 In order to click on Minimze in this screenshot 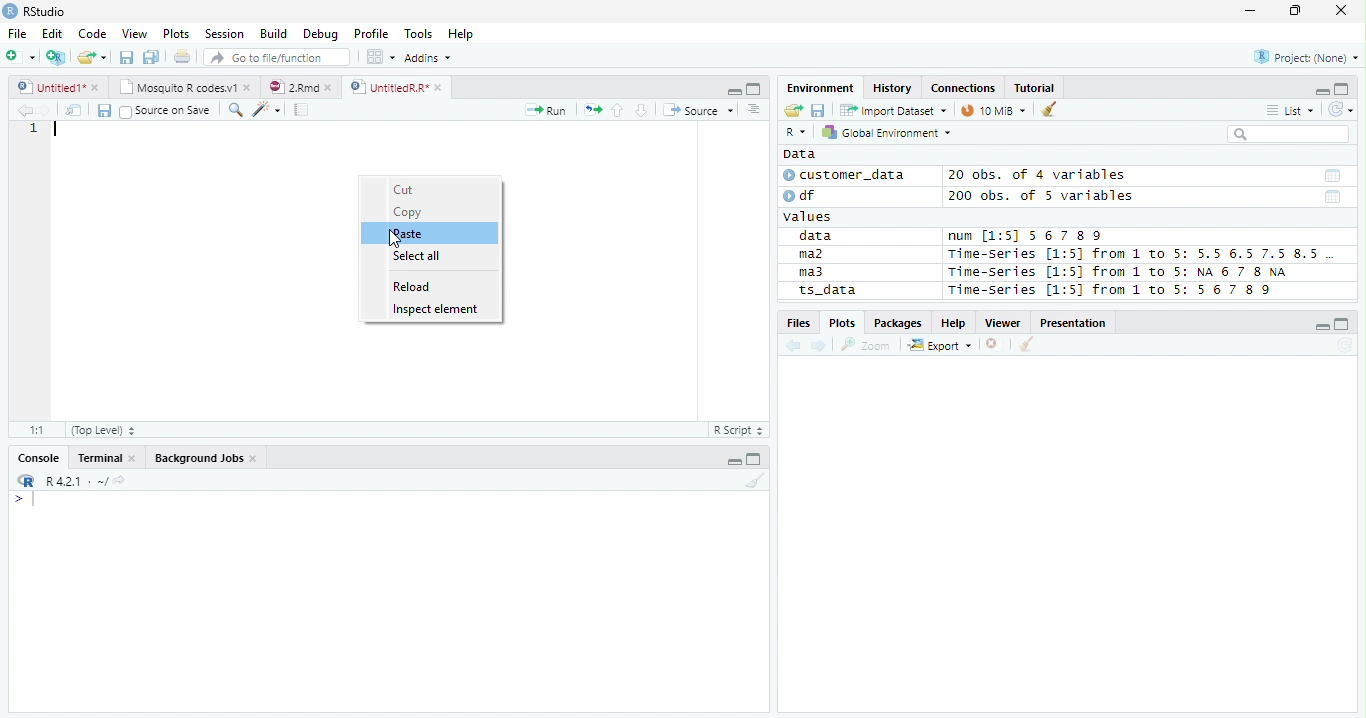, I will do `click(1320, 90)`.